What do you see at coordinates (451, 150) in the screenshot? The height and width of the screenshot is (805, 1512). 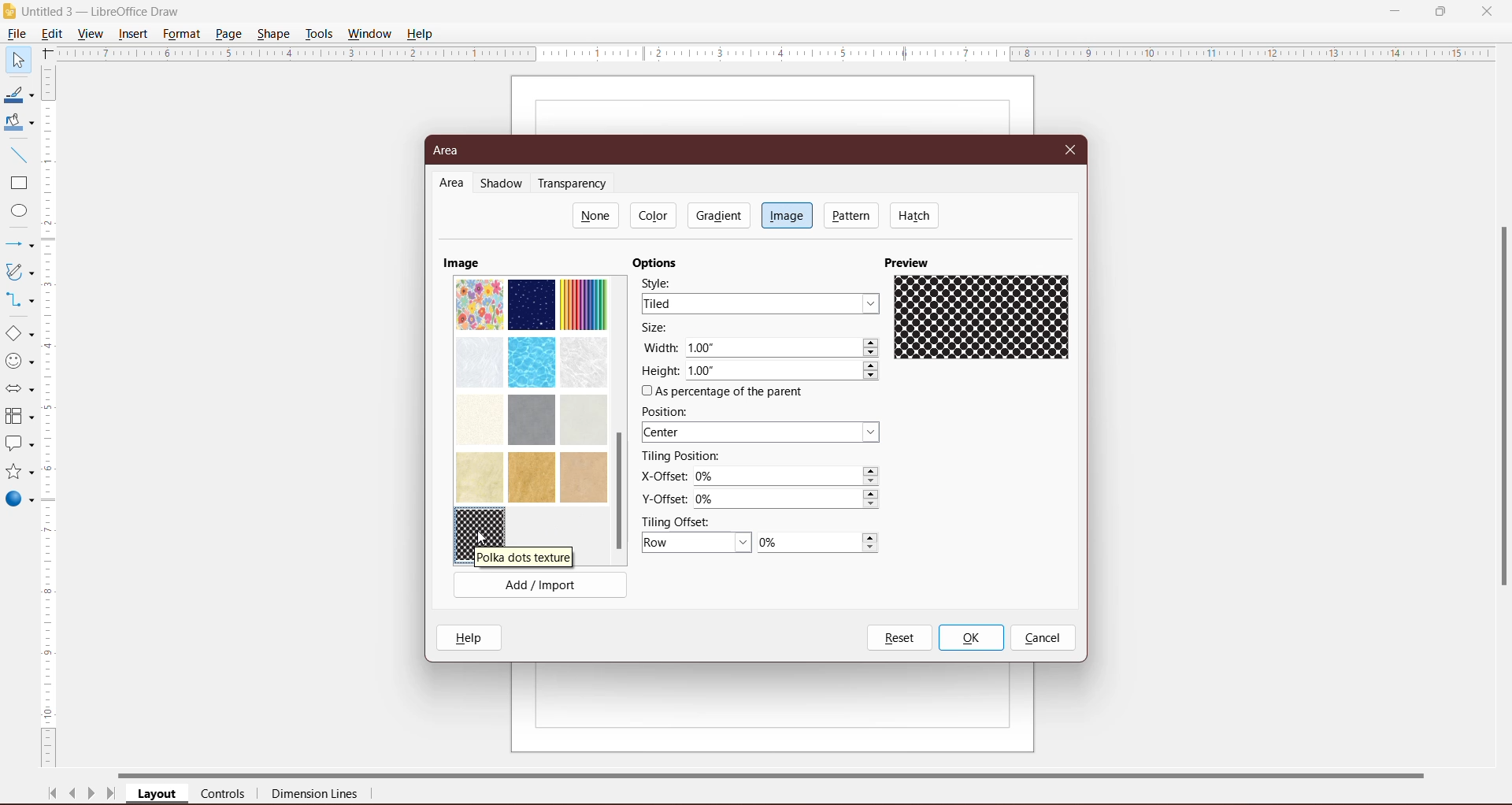 I see `Area` at bounding box center [451, 150].